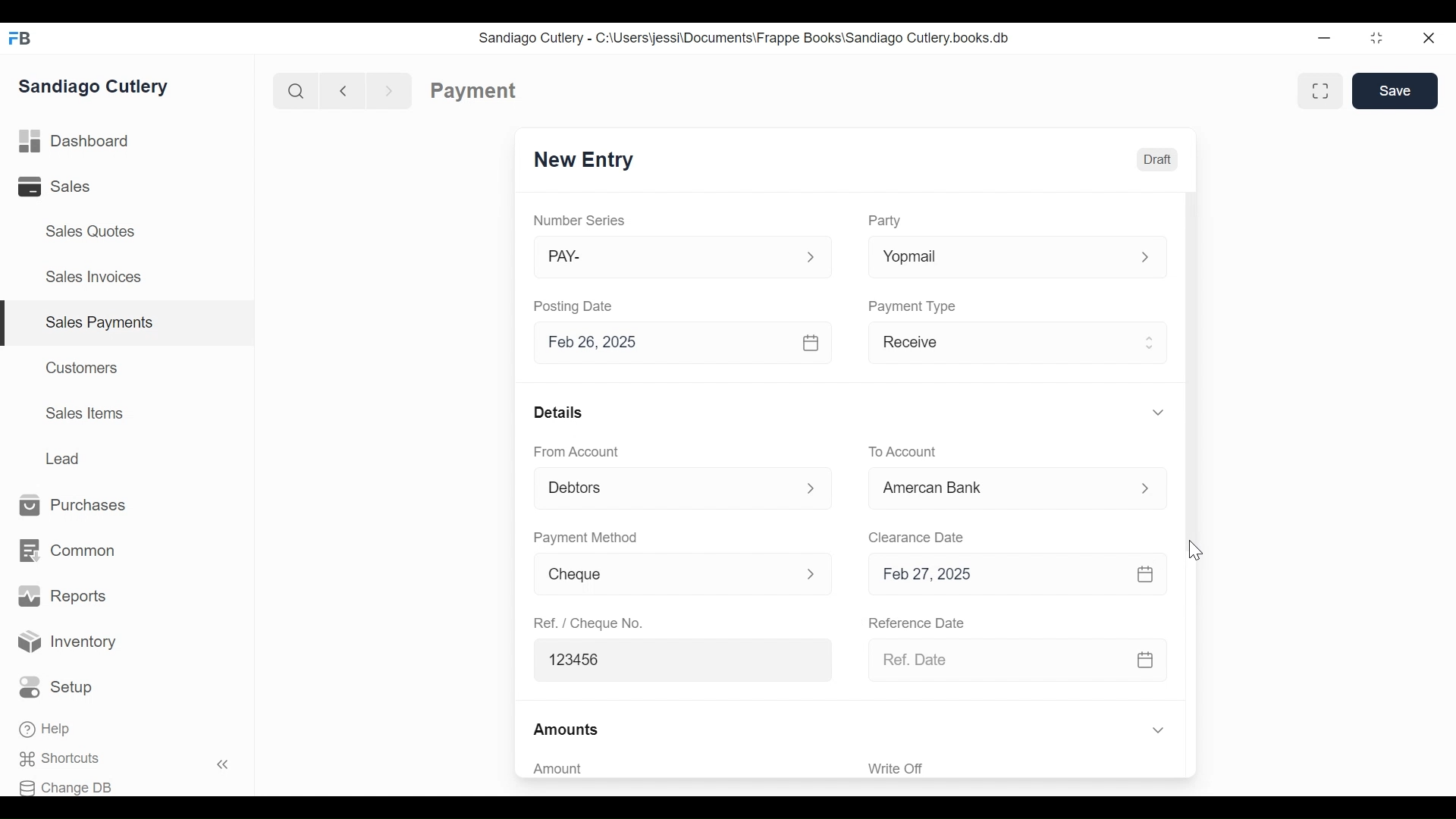  I want to click on Sales, so click(65, 187).